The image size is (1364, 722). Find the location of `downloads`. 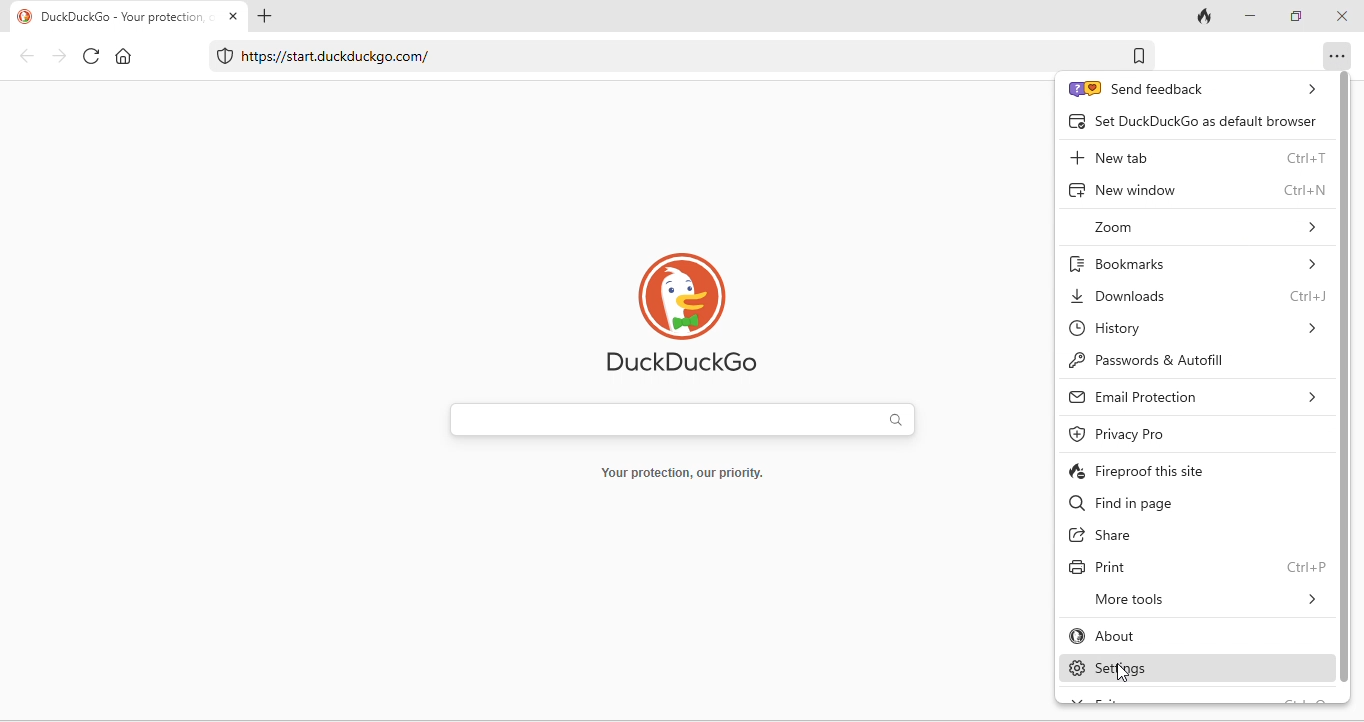

downloads is located at coordinates (1195, 295).